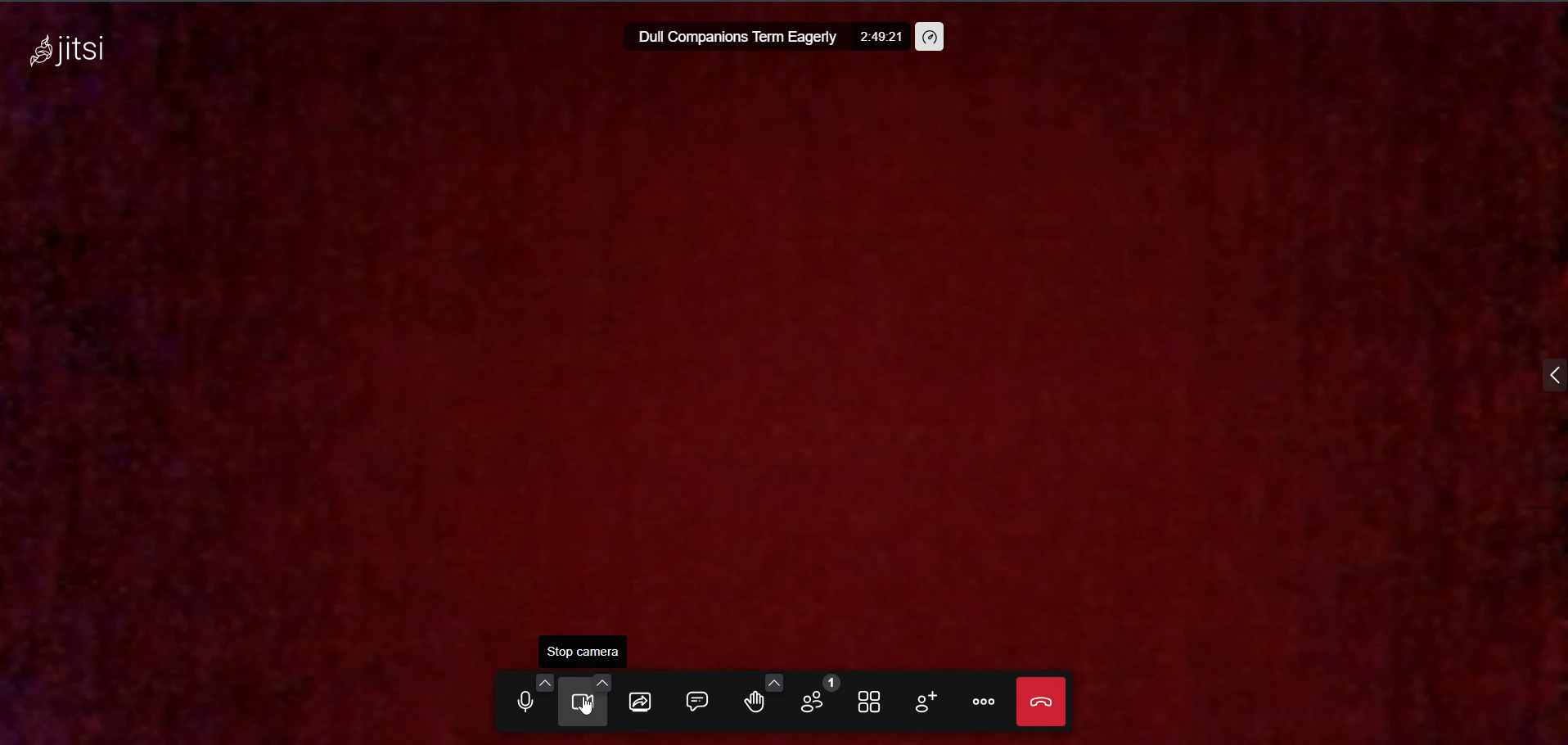 Image resolution: width=1568 pixels, height=745 pixels. I want to click on audio setting, so click(537, 680).